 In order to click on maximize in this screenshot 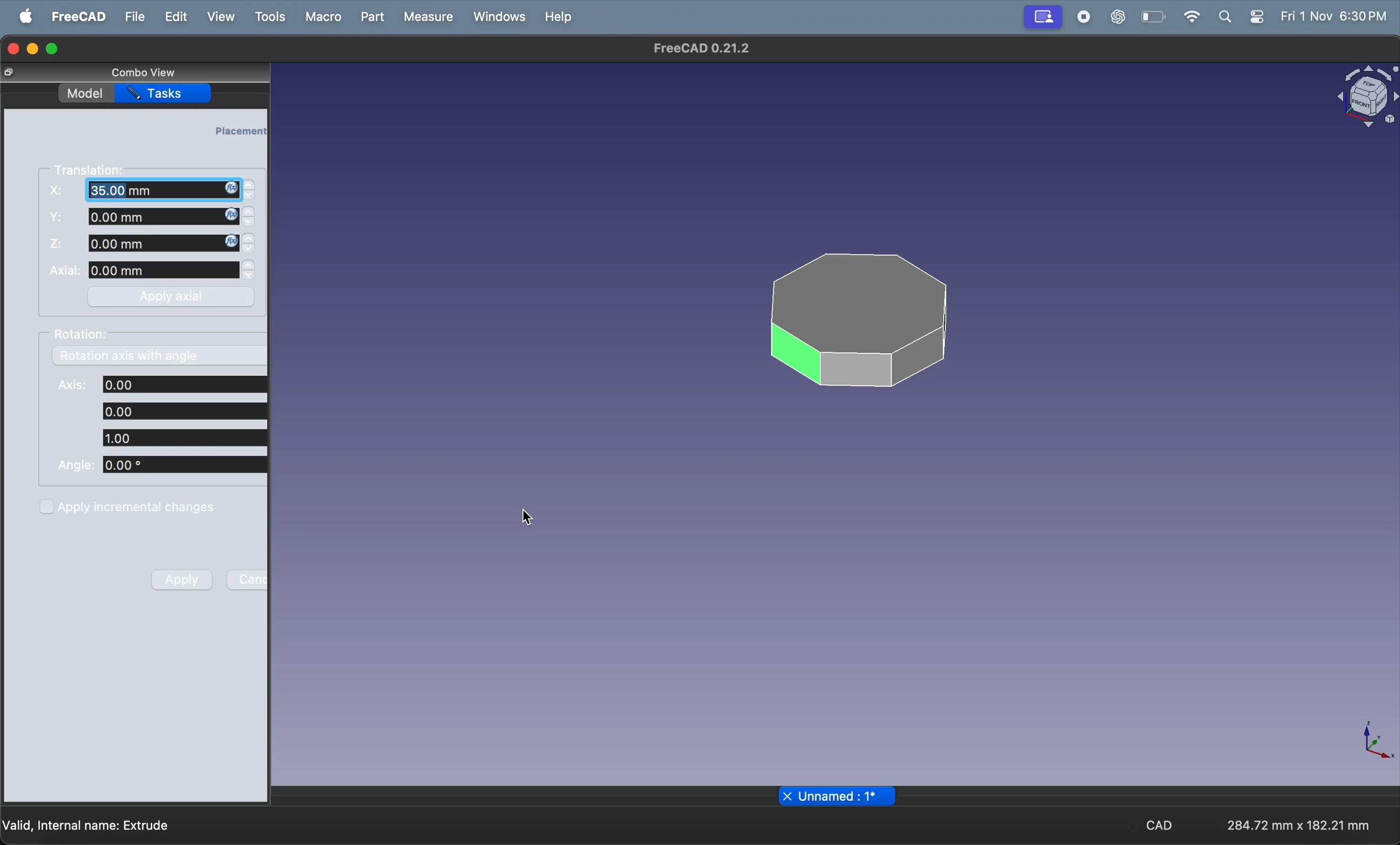, I will do `click(57, 47)`.